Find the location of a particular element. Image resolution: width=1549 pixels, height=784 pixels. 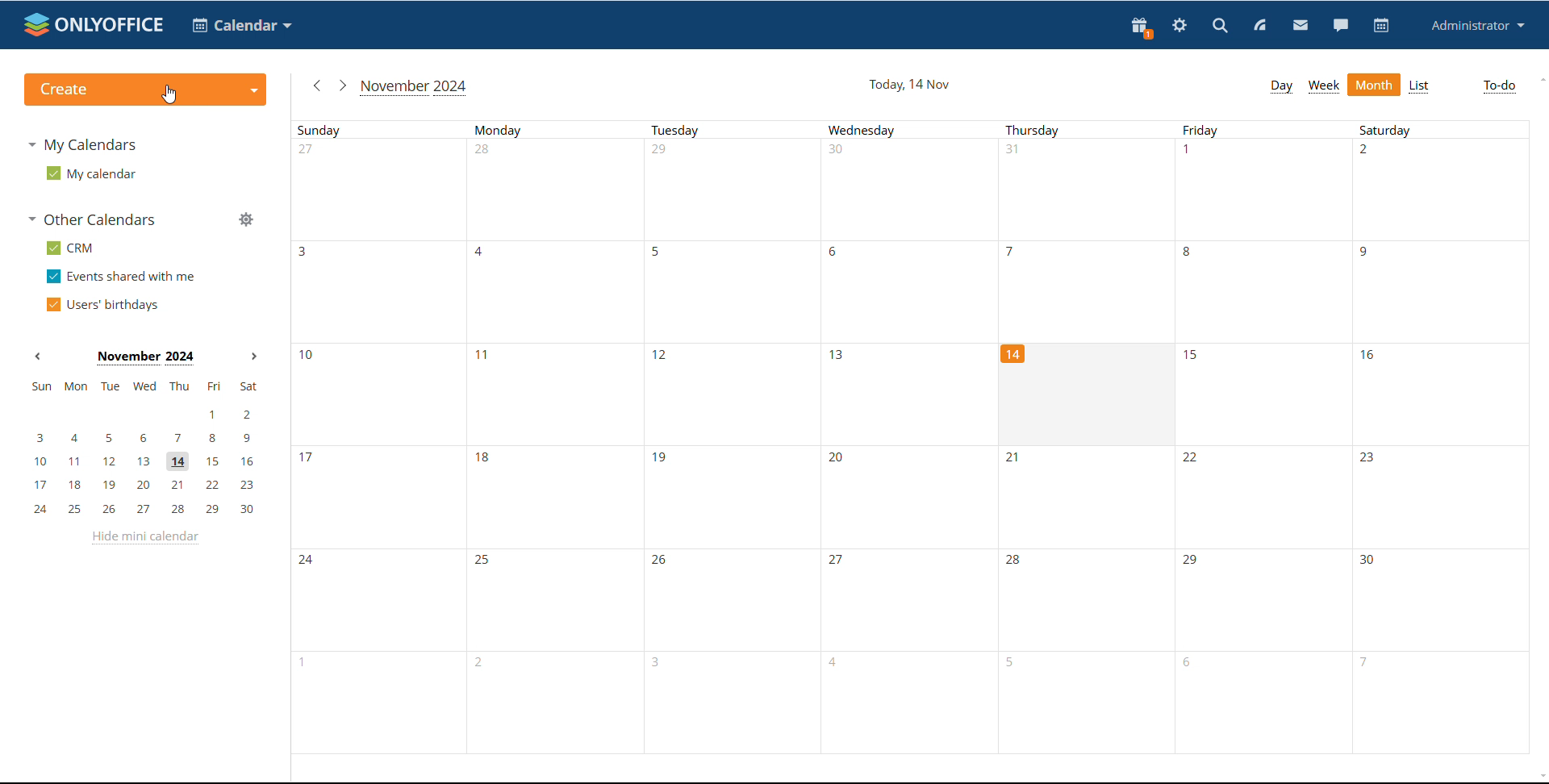

calendar is located at coordinates (1381, 26).